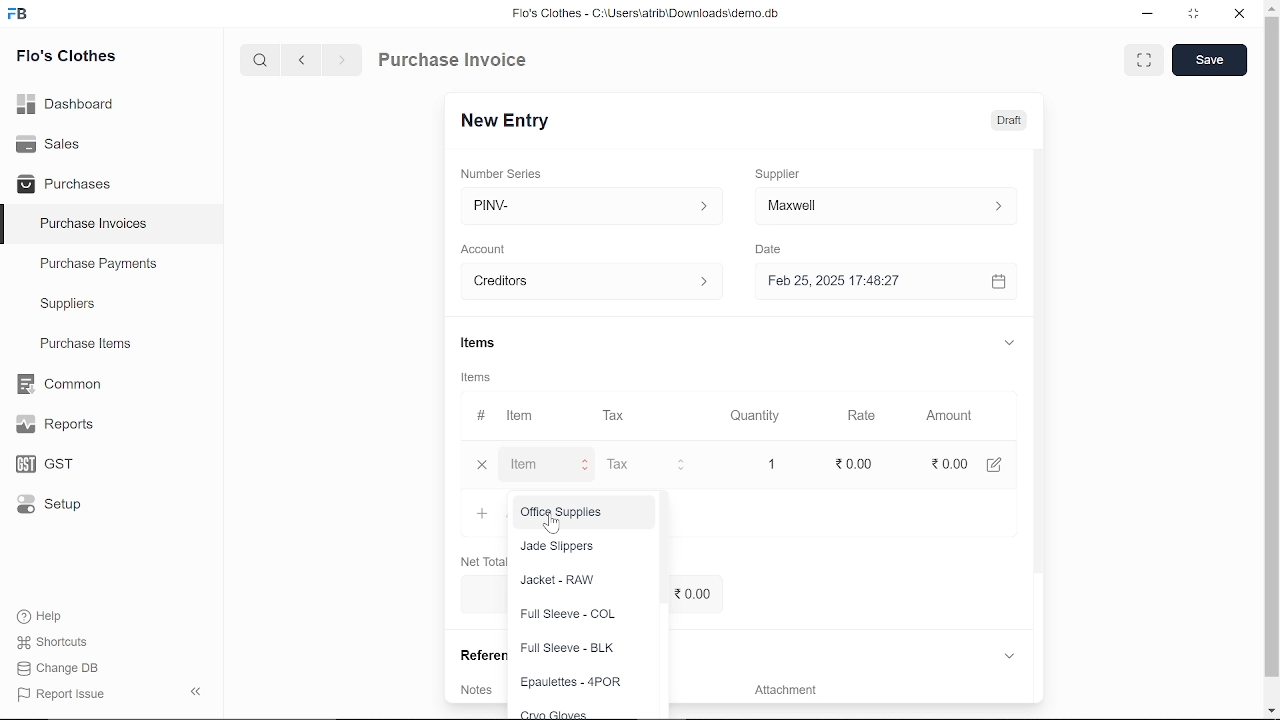 This screenshot has height=720, width=1280. I want to click on close, so click(1240, 15).